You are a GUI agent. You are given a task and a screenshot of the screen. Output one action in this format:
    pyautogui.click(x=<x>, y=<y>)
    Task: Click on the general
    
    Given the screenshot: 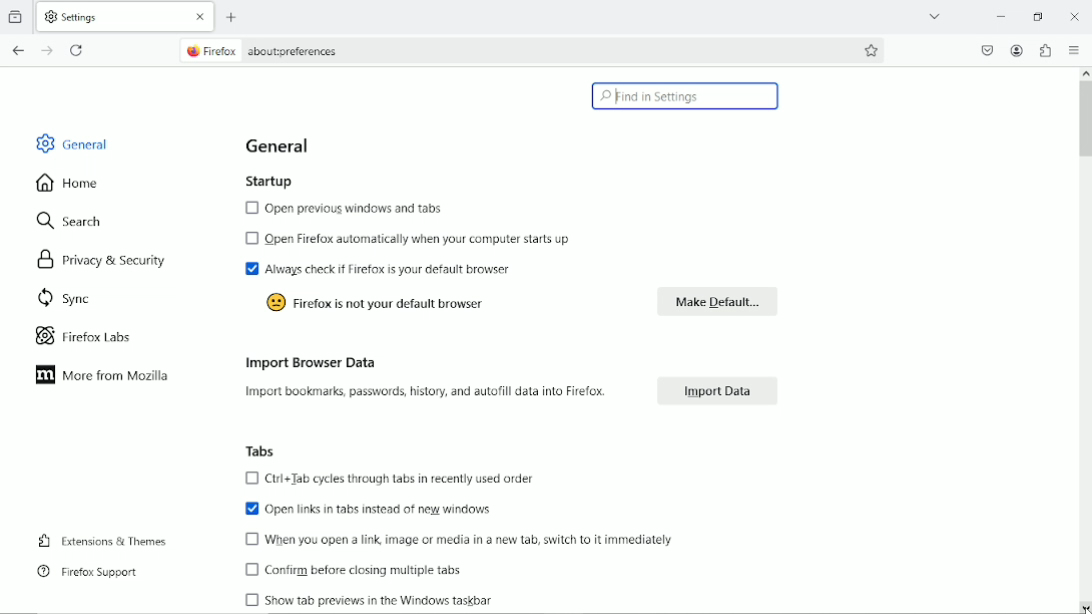 What is the action you would take?
    pyautogui.click(x=70, y=141)
    